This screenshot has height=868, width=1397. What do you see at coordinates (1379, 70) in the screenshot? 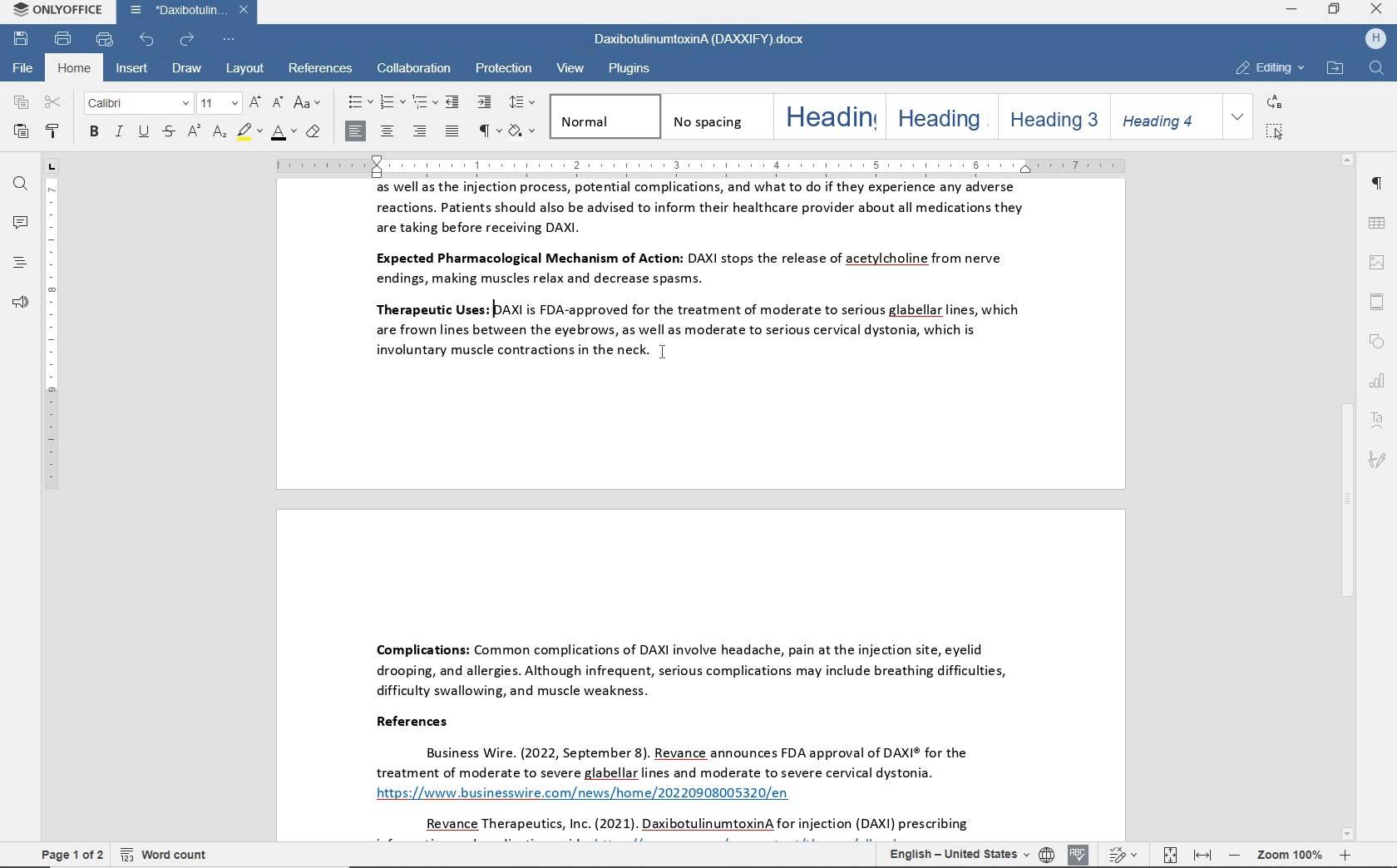
I see `find` at bounding box center [1379, 70].